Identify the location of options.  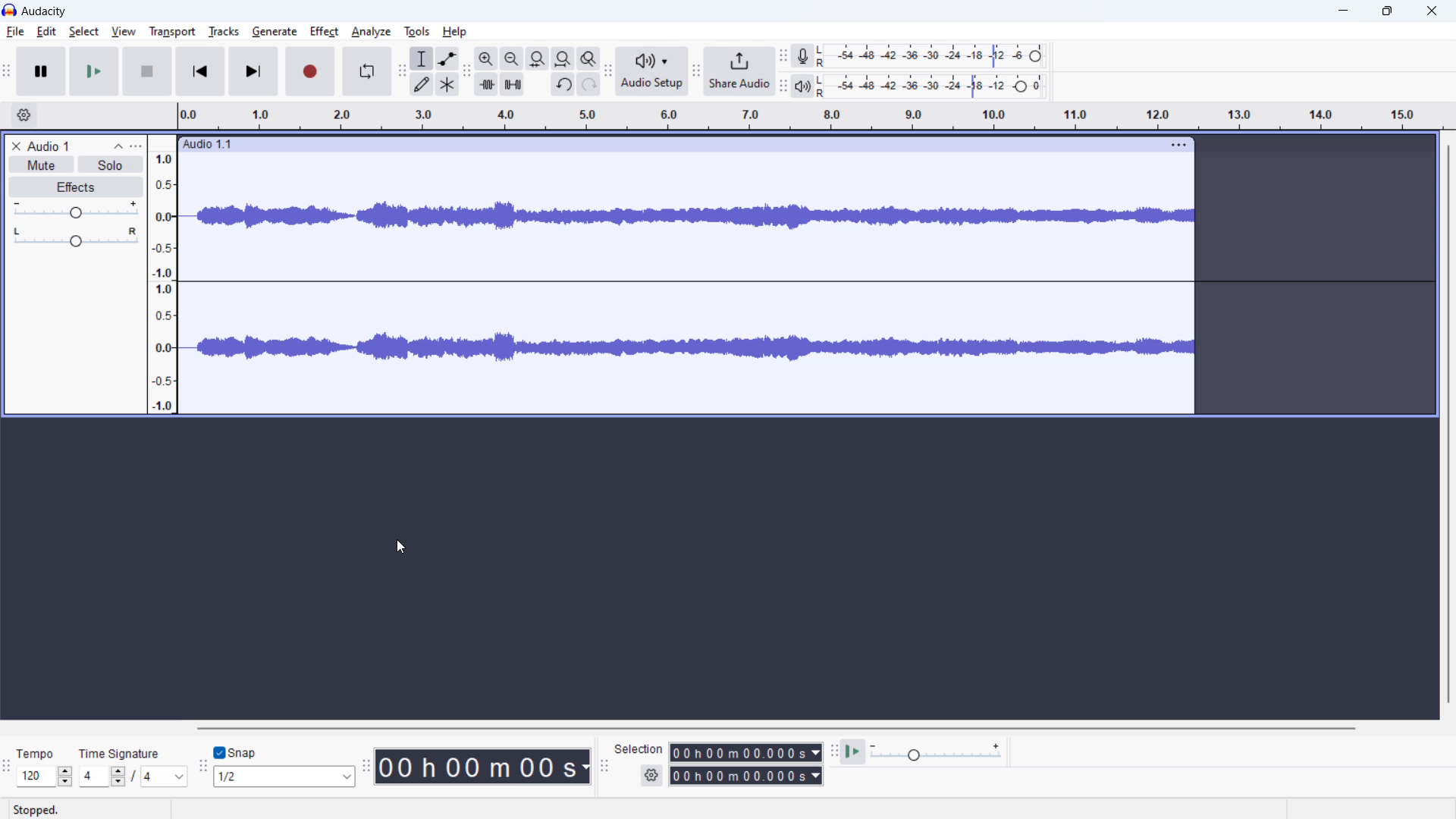
(1180, 143).